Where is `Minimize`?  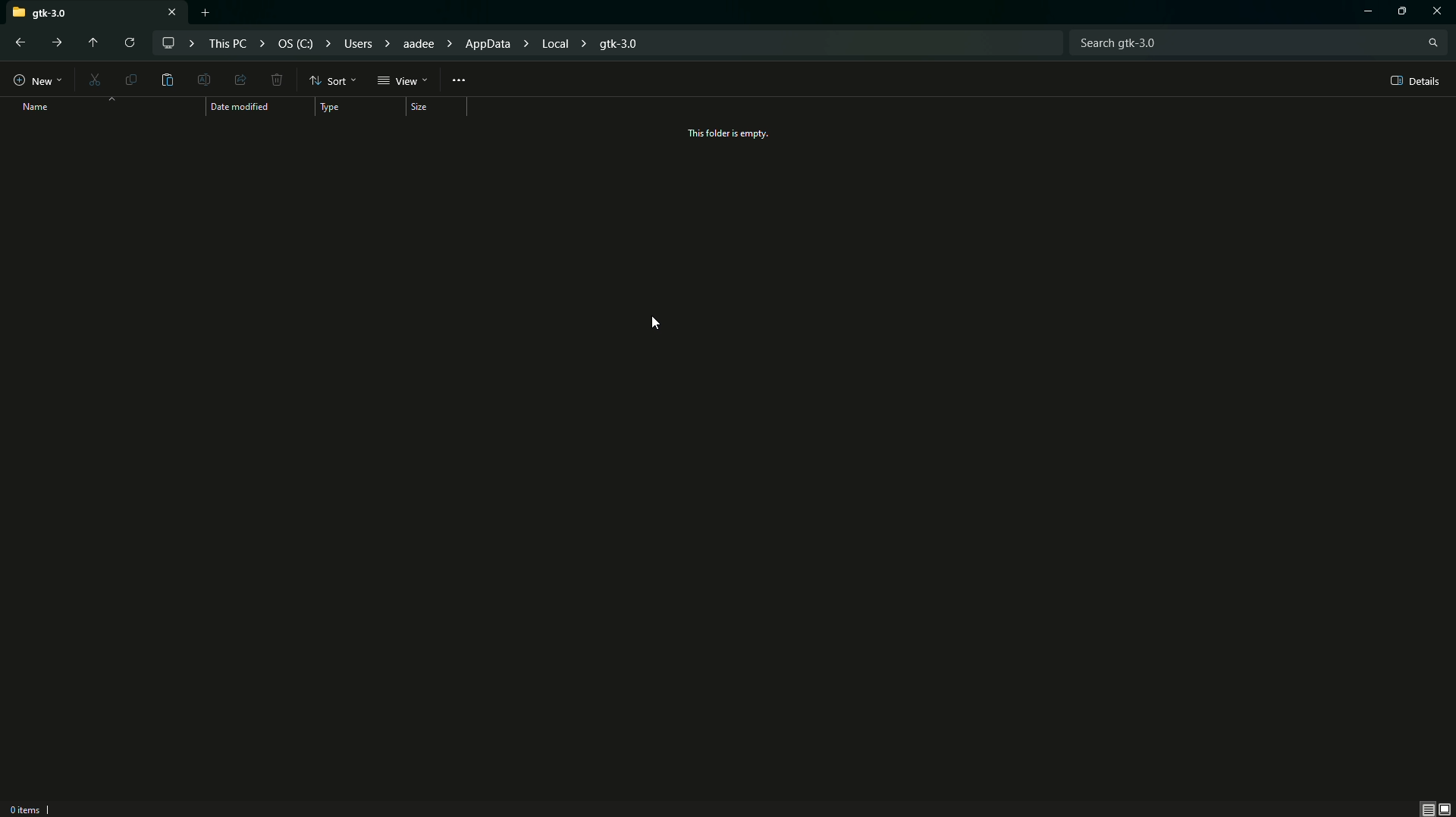 Minimize is located at coordinates (1360, 13).